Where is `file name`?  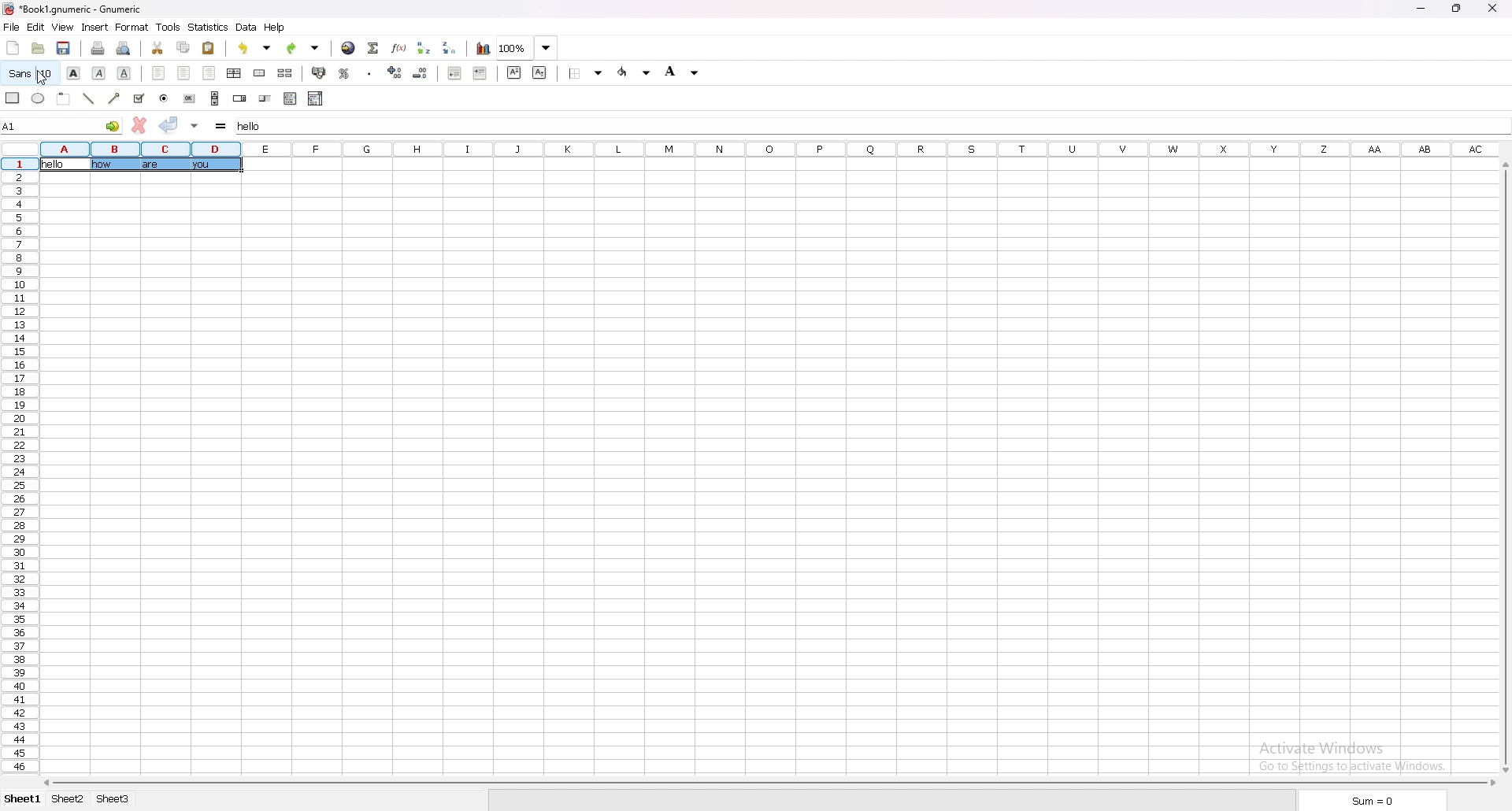
file name is located at coordinates (73, 9).